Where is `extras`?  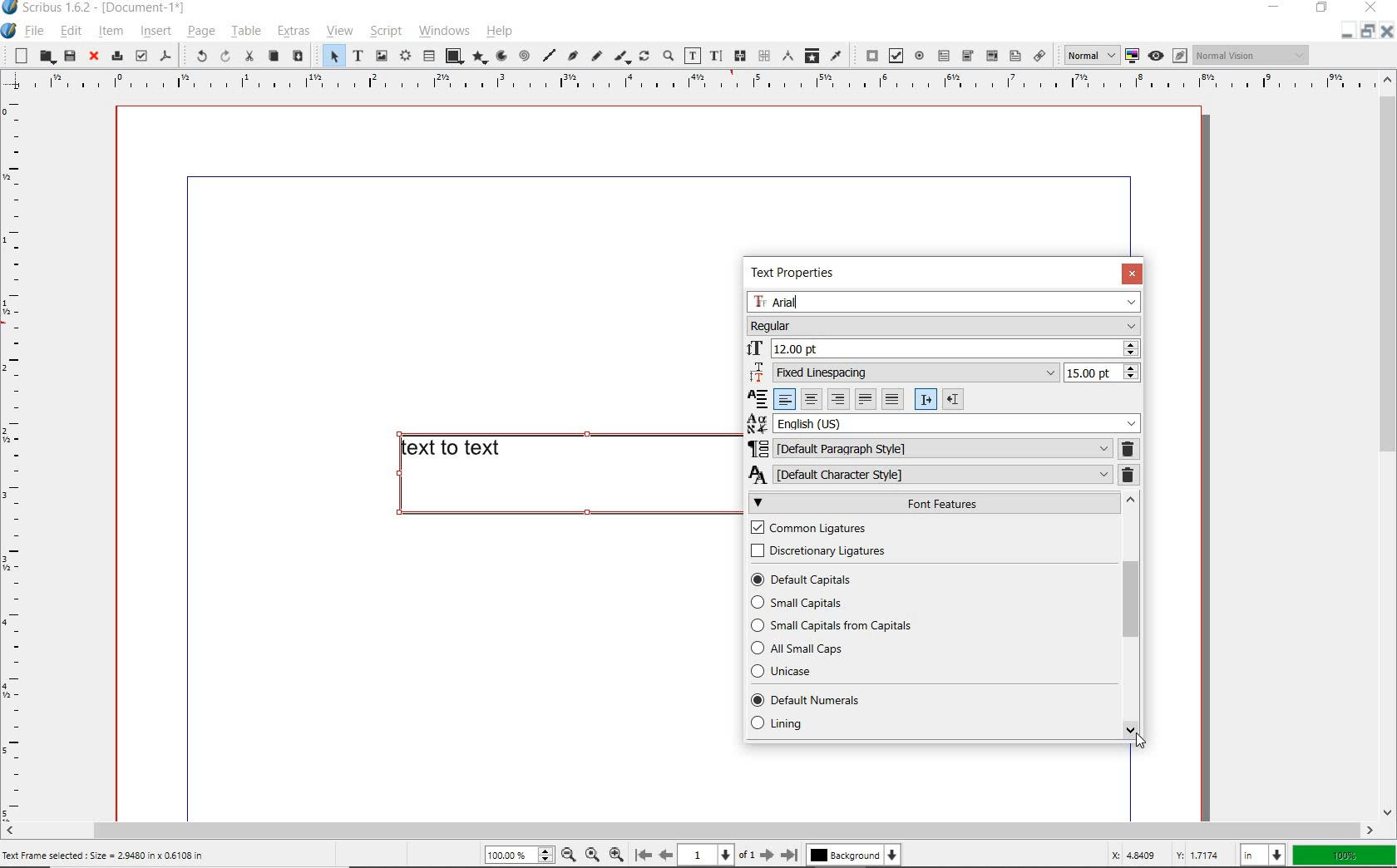
extras is located at coordinates (293, 33).